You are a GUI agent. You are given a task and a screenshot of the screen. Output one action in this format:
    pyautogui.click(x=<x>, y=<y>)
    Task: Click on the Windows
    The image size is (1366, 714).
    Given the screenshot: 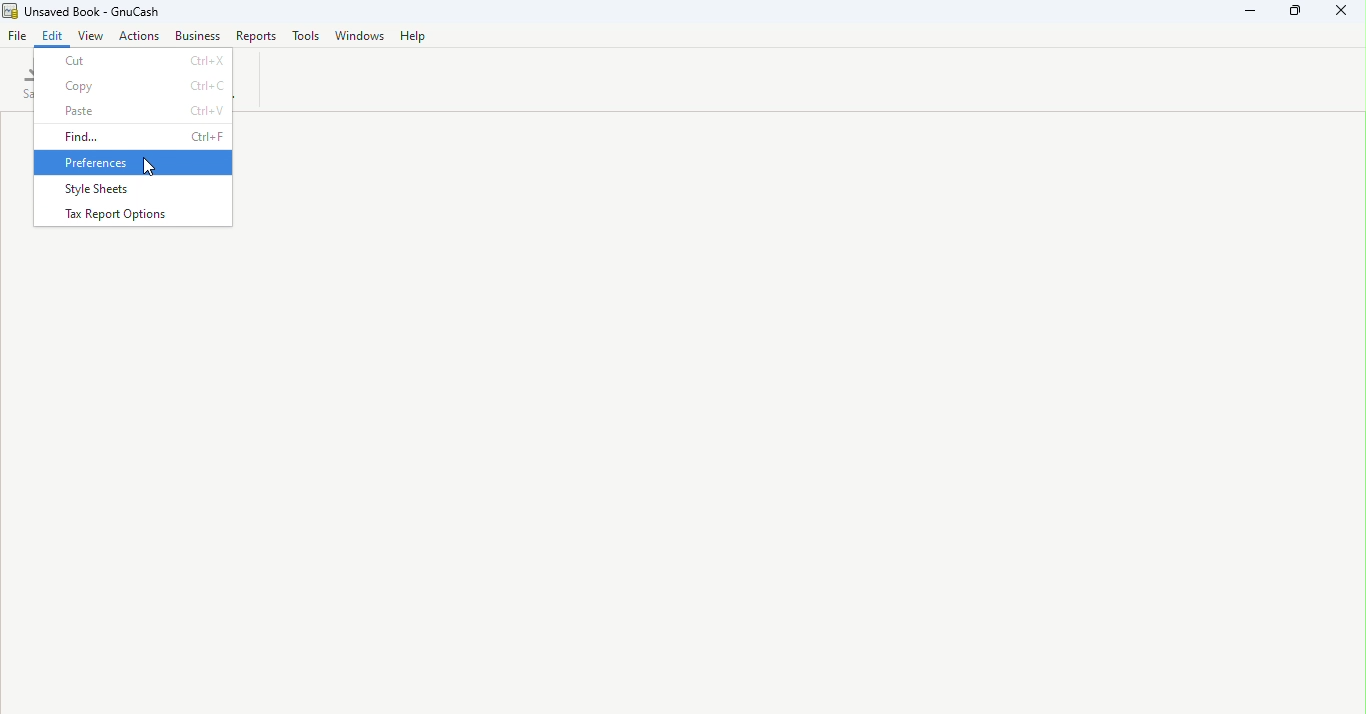 What is the action you would take?
    pyautogui.click(x=358, y=34)
    